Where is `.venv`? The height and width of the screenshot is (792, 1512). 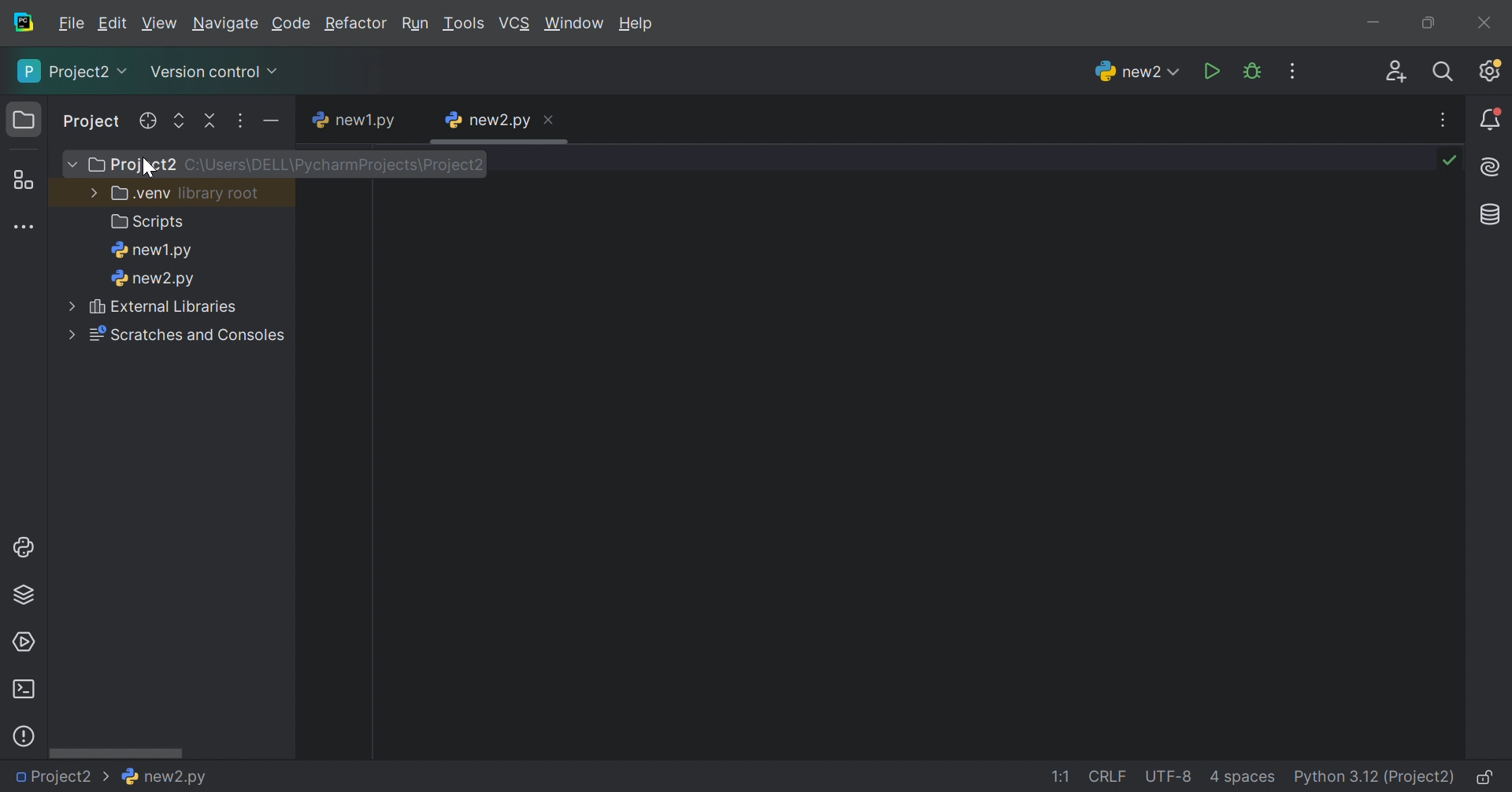 .venv is located at coordinates (140, 193).